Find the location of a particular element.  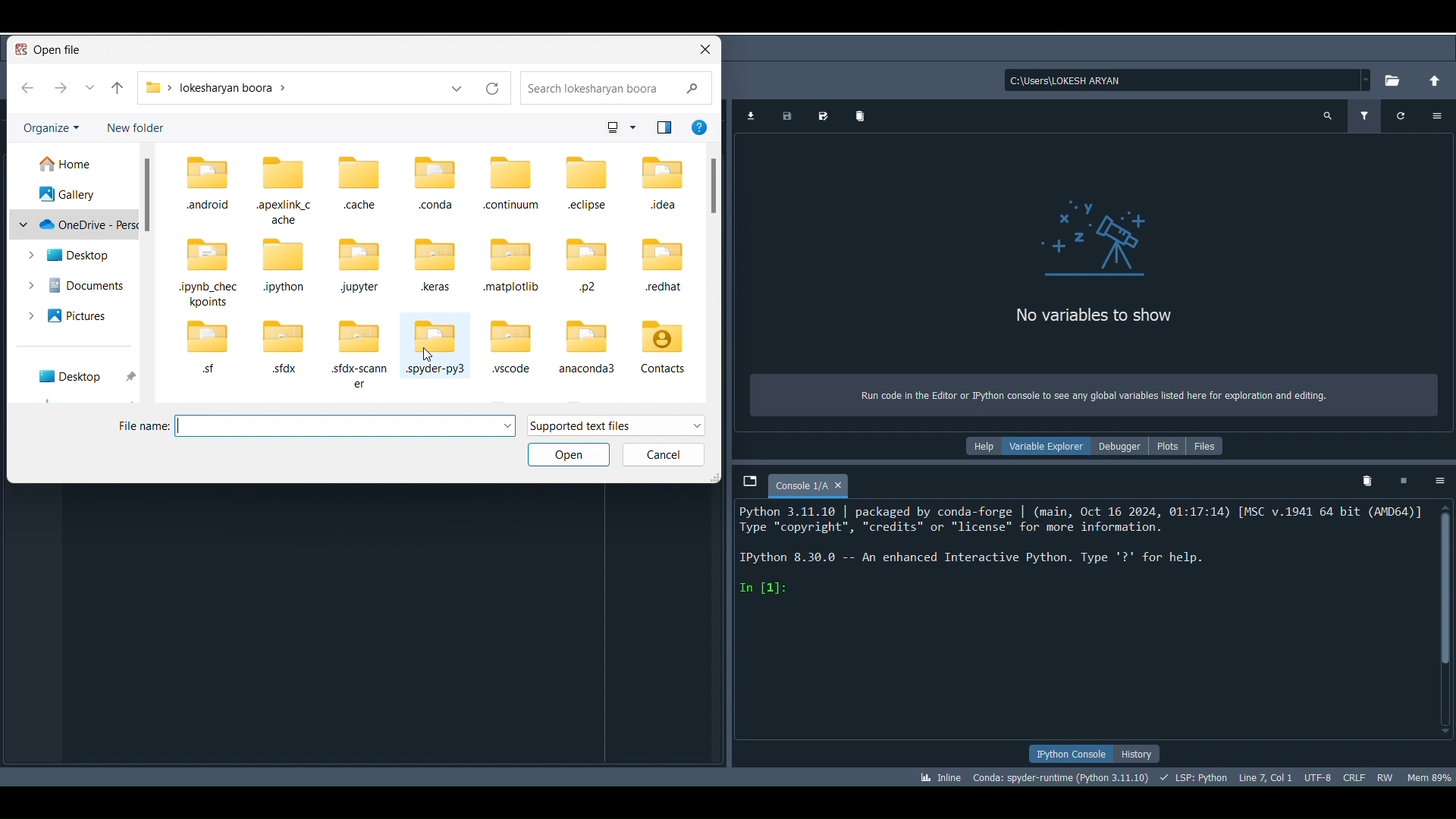

Folder is located at coordinates (361, 182).